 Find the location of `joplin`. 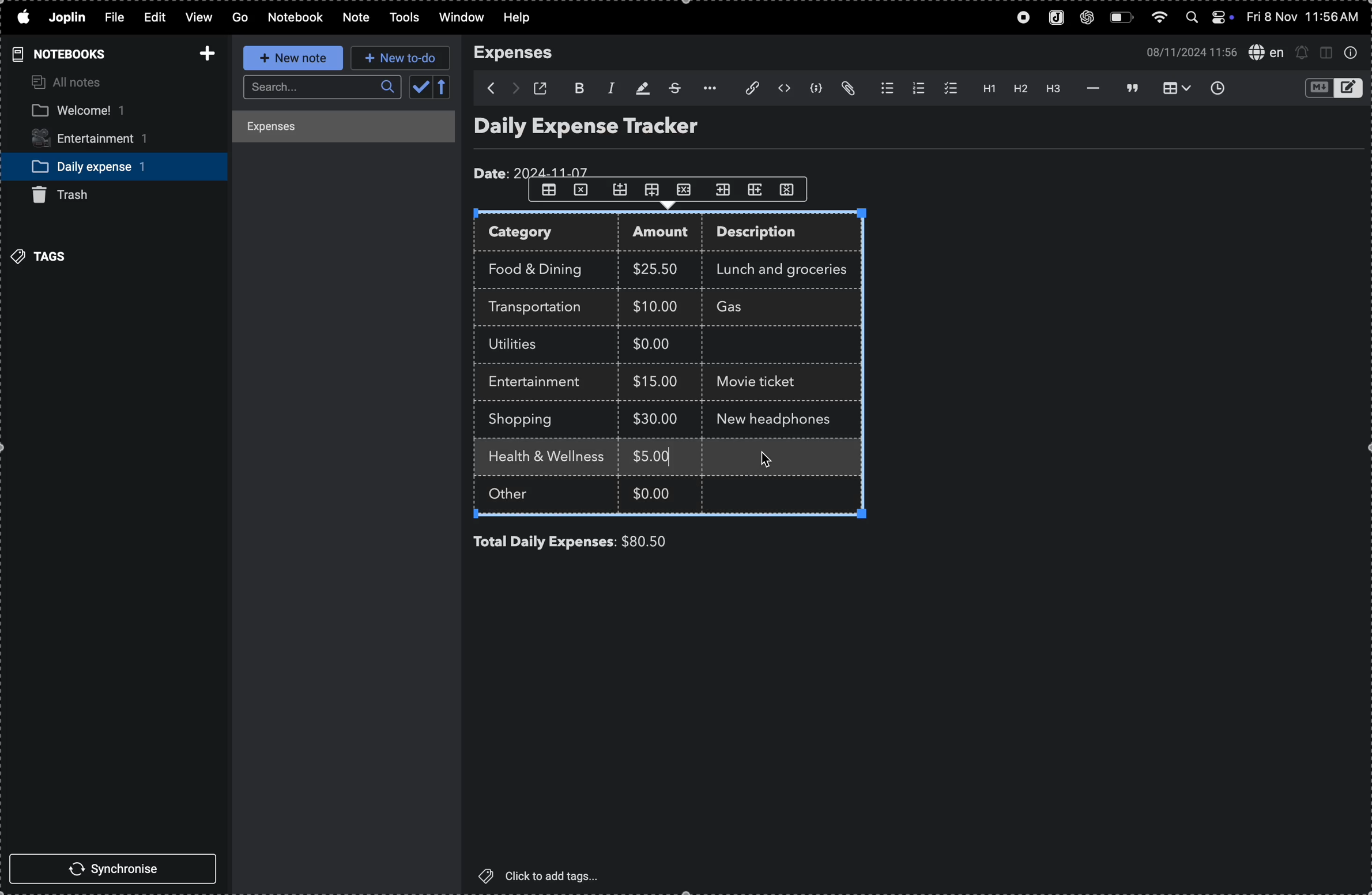

joplin is located at coordinates (1053, 18).